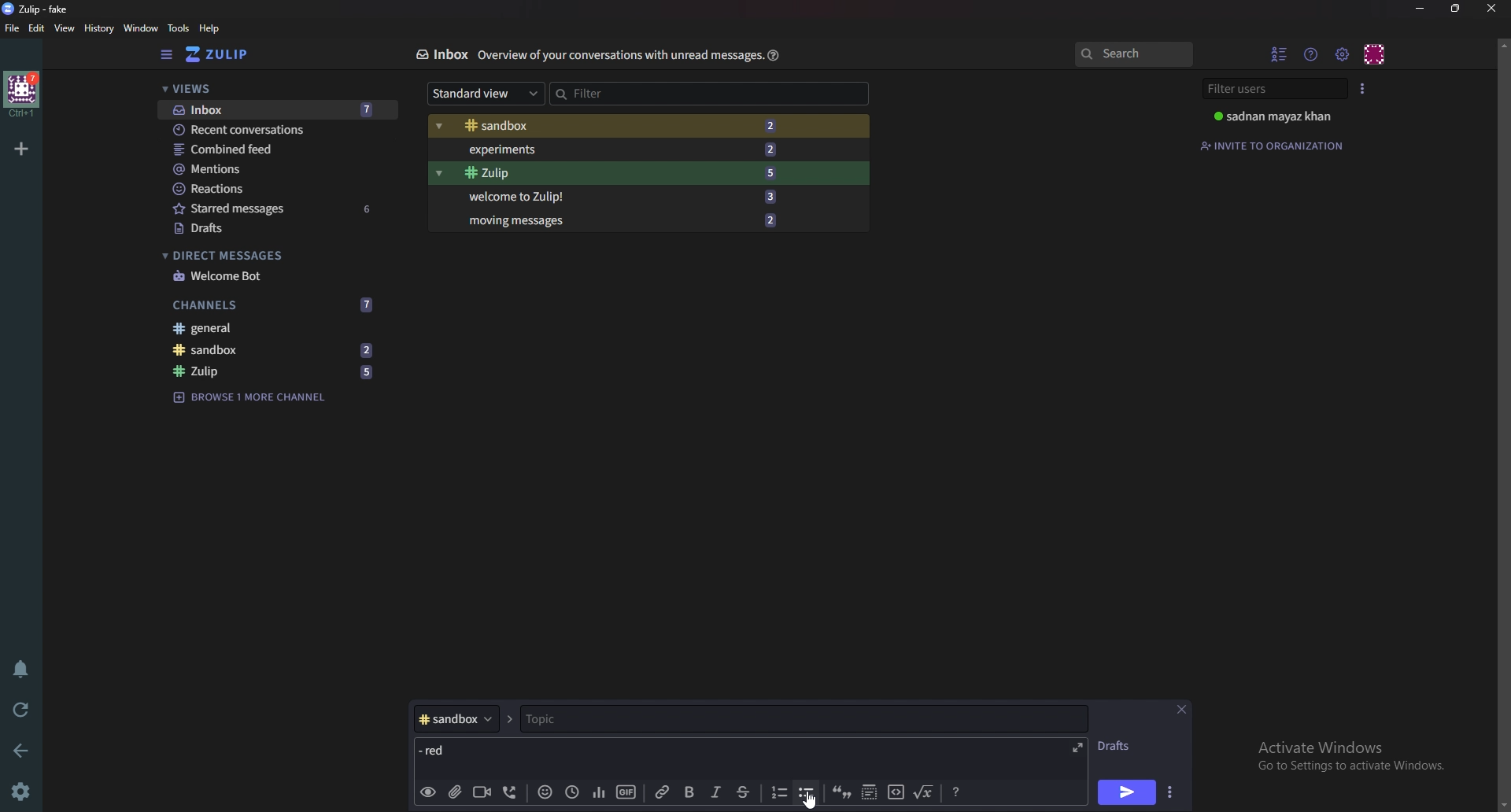  What do you see at coordinates (37, 28) in the screenshot?
I see `Edit` at bounding box center [37, 28].